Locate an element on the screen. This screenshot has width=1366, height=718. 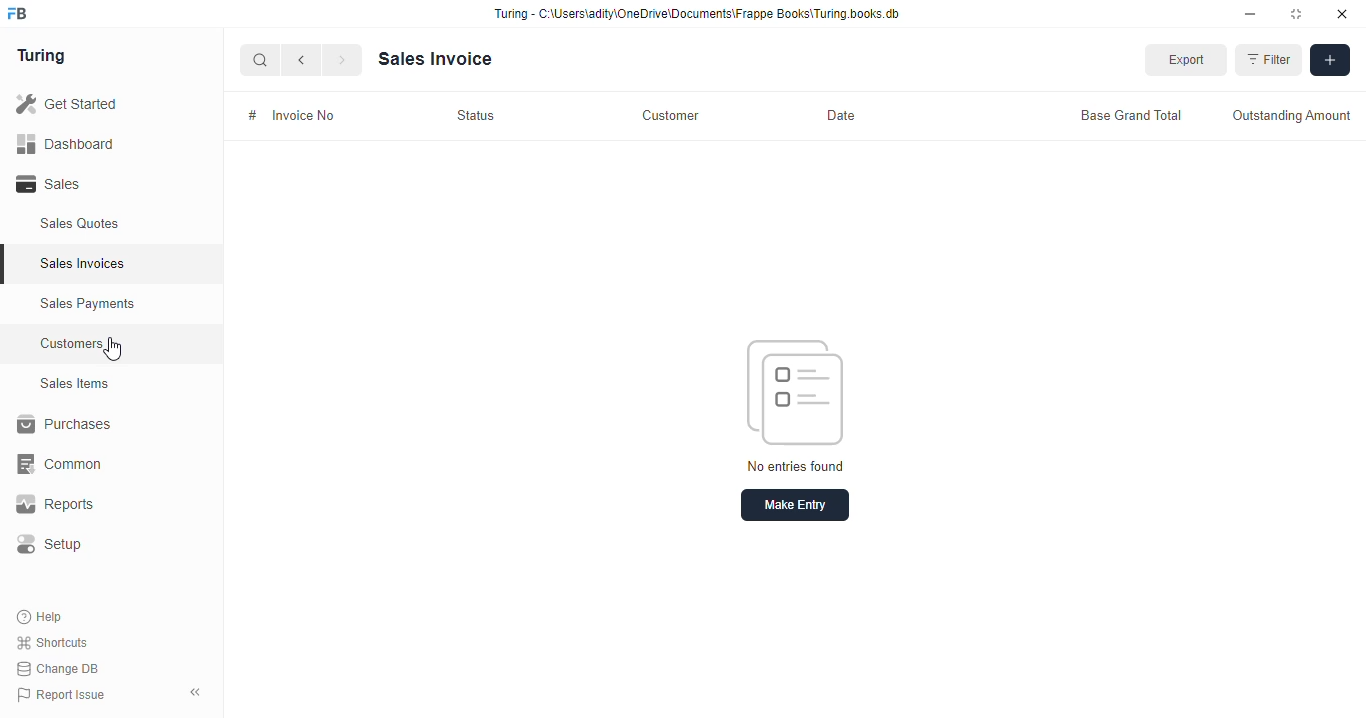
search is located at coordinates (261, 62).